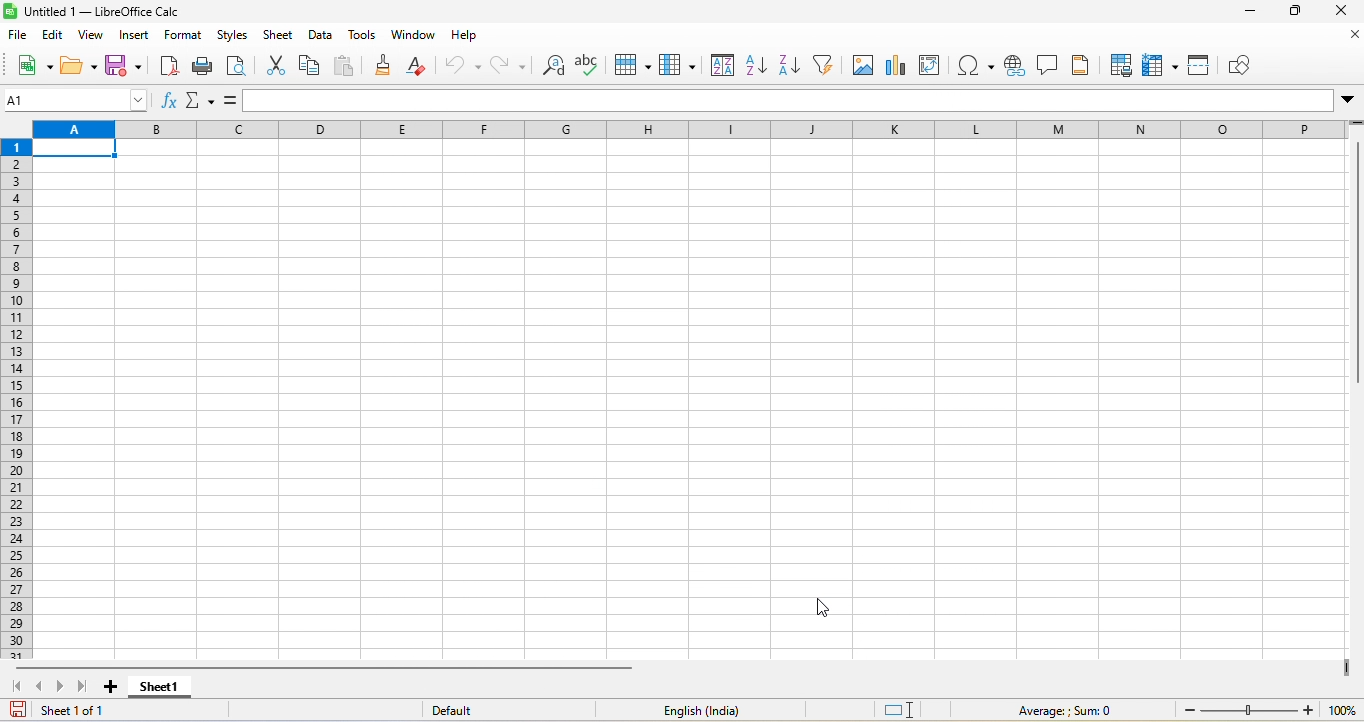 This screenshot has width=1364, height=722. I want to click on print, so click(206, 69).